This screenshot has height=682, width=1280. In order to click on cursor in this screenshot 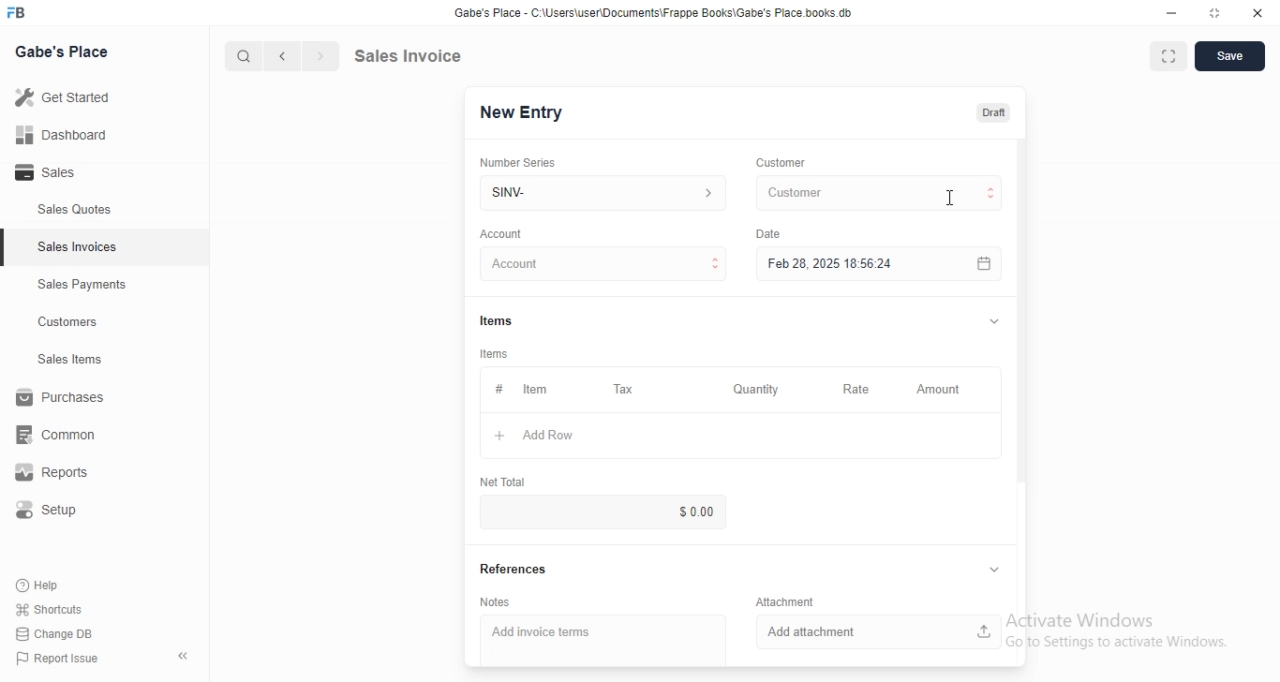, I will do `click(234, 56)`.